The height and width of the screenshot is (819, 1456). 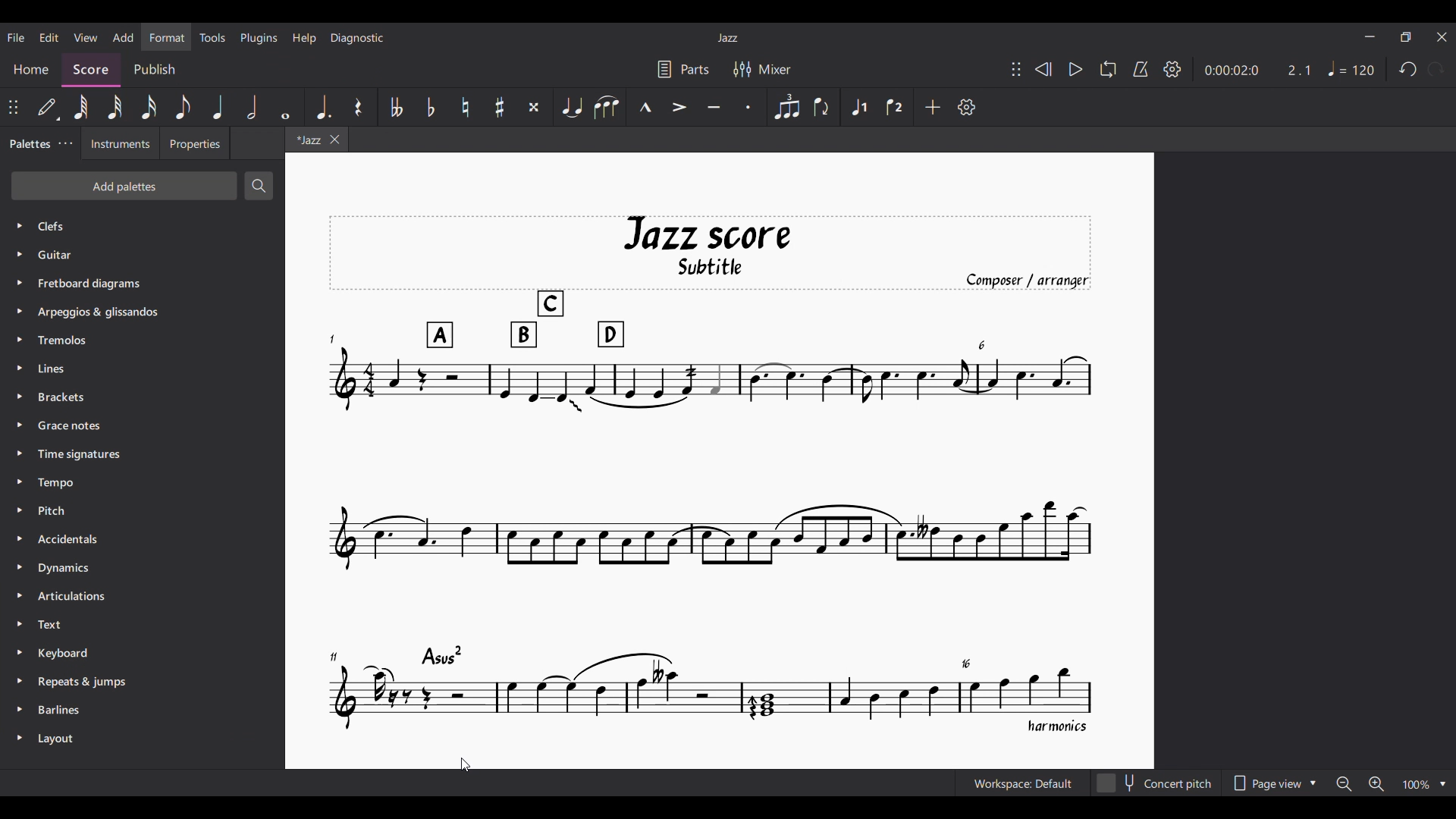 I want to click on Add palettes, so click(x=123, y=186).